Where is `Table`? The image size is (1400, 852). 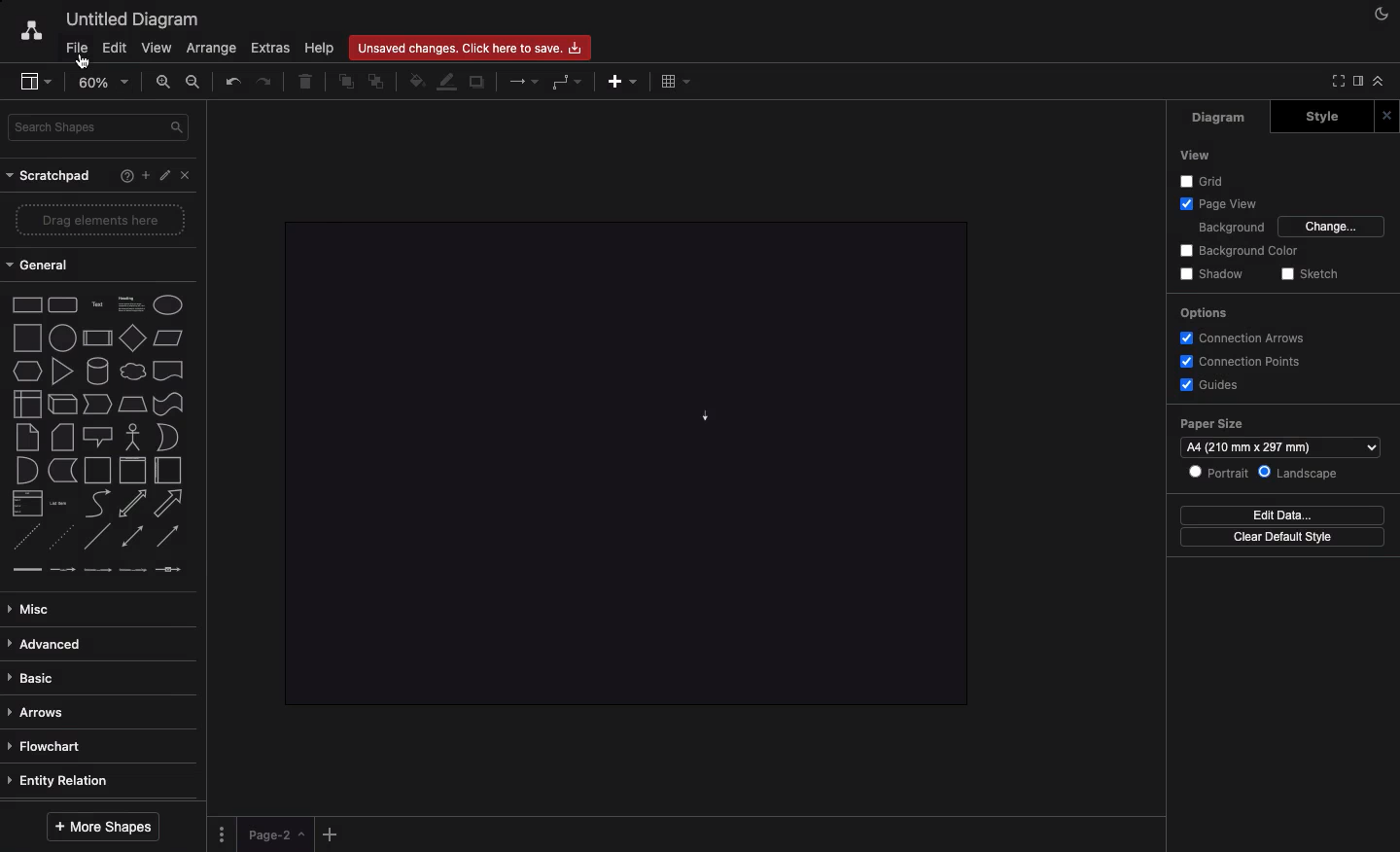
Table is located at coordinates (678, 81).